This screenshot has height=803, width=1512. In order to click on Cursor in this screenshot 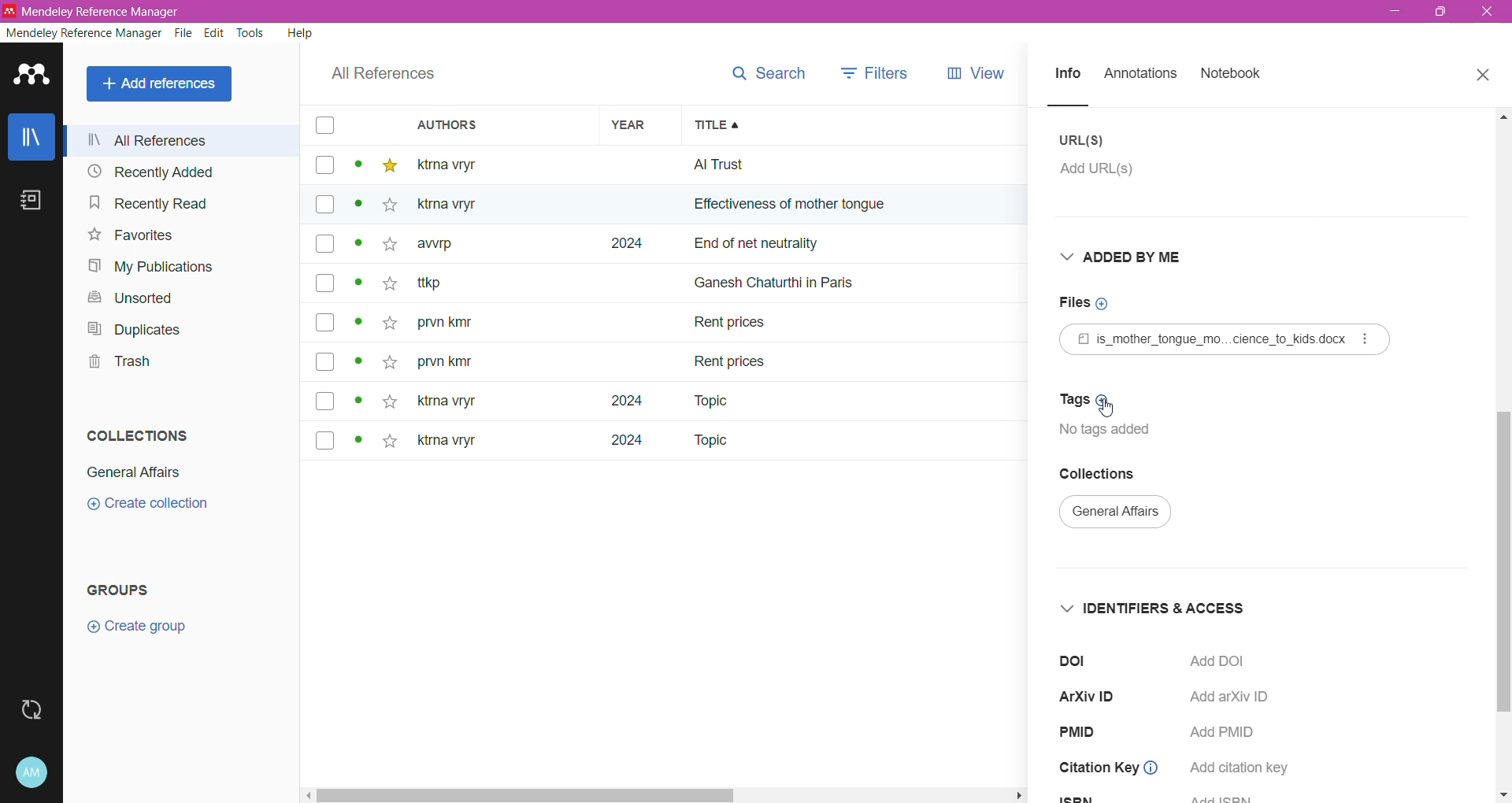, I will do `click(1105, 407)`.